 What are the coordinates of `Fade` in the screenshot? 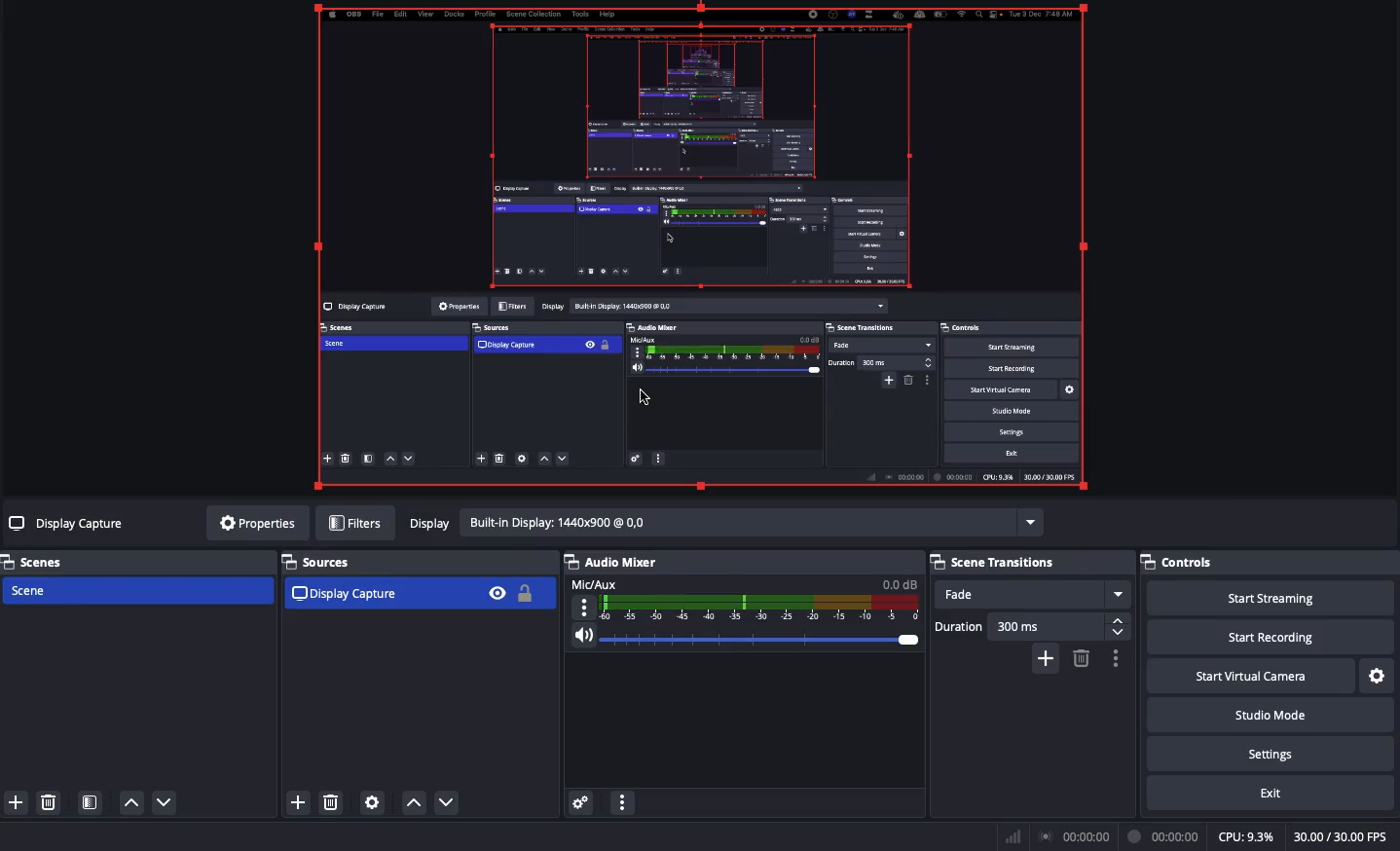 It's located at (1032, 595).